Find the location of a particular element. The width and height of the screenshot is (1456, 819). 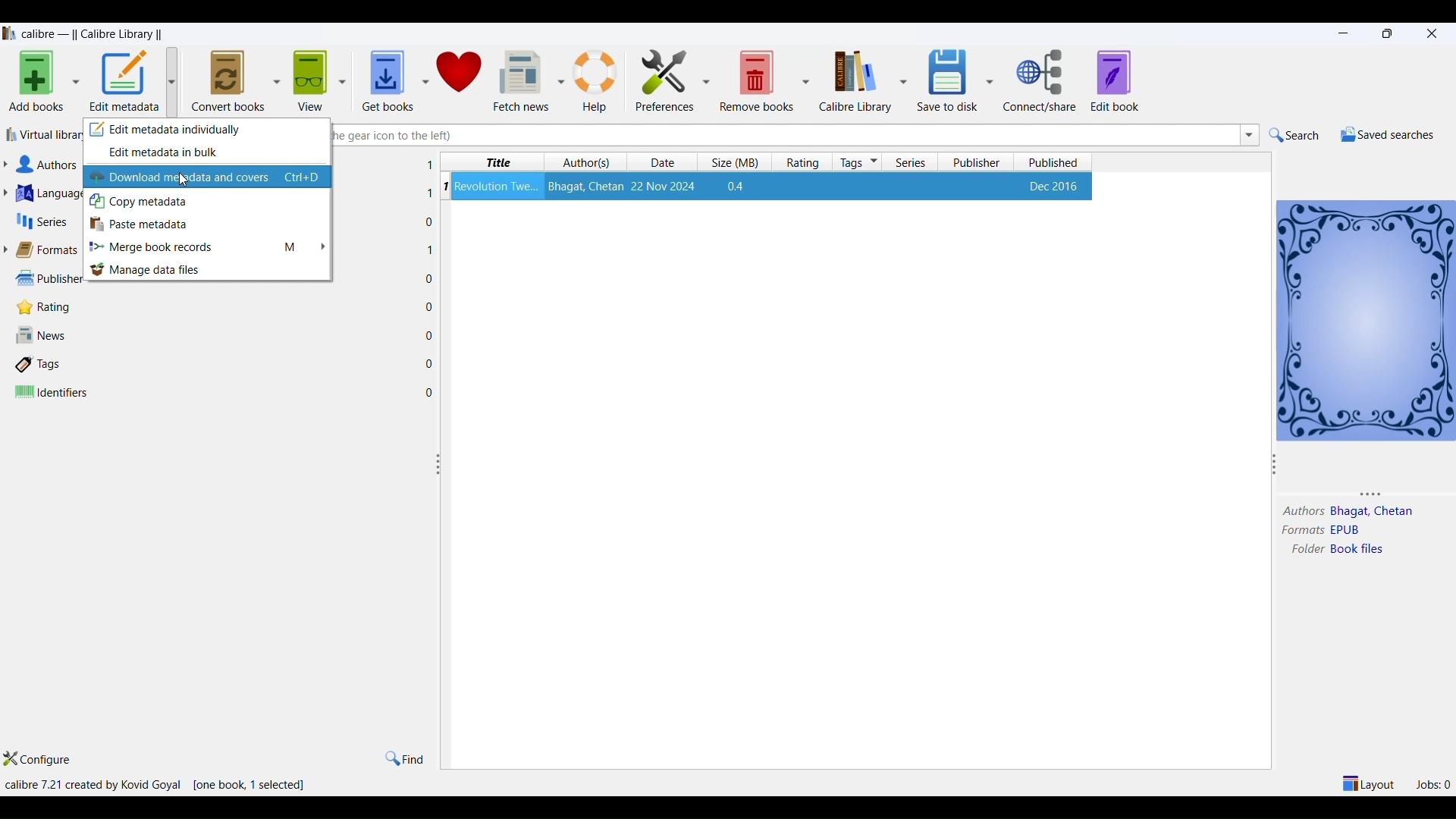

serial number is located at coordinates (444, 186).